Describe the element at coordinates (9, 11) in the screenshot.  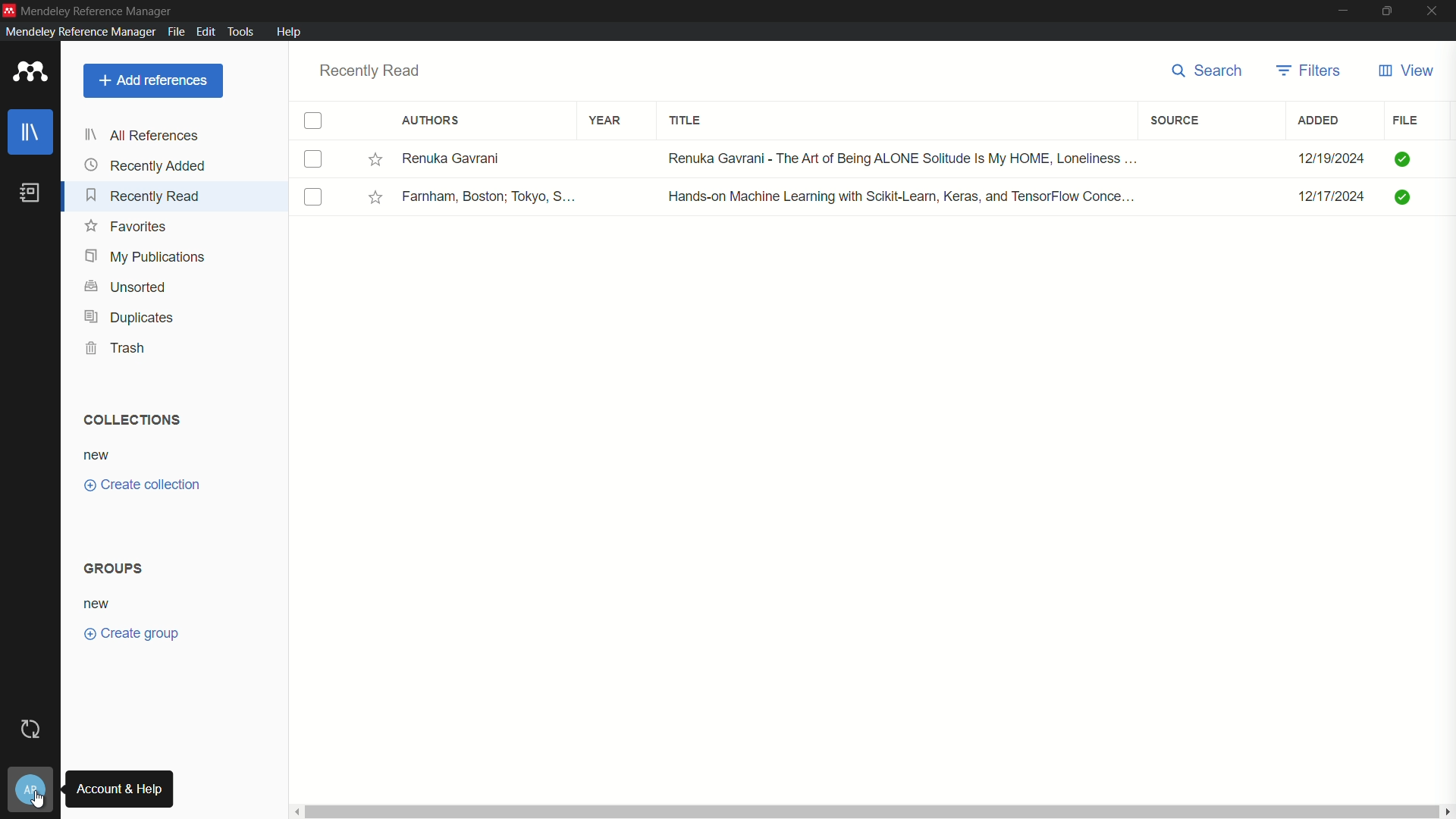
I see `app icon` at that location.